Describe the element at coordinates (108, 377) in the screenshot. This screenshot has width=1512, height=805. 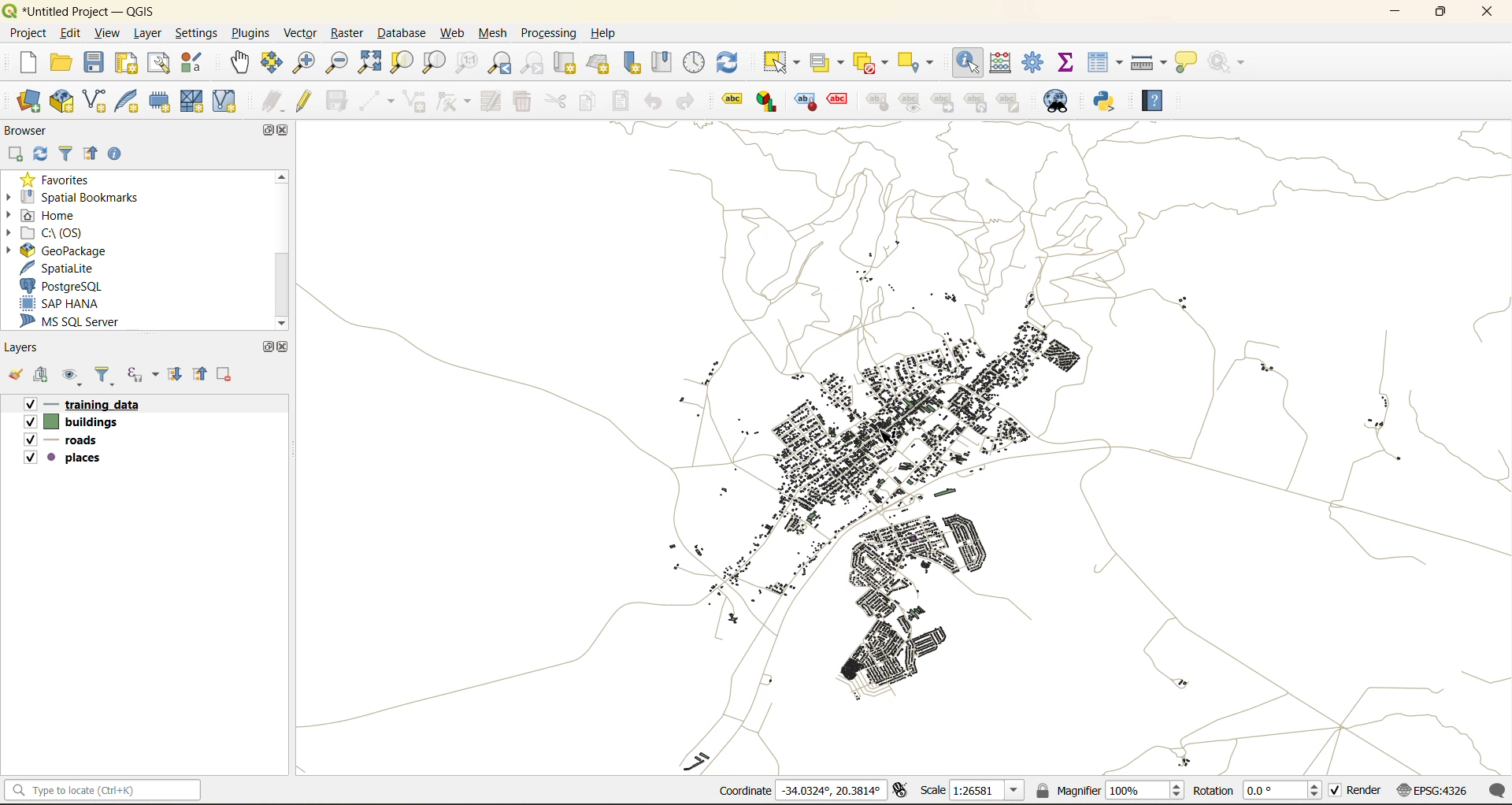
I see `filter` at that location.